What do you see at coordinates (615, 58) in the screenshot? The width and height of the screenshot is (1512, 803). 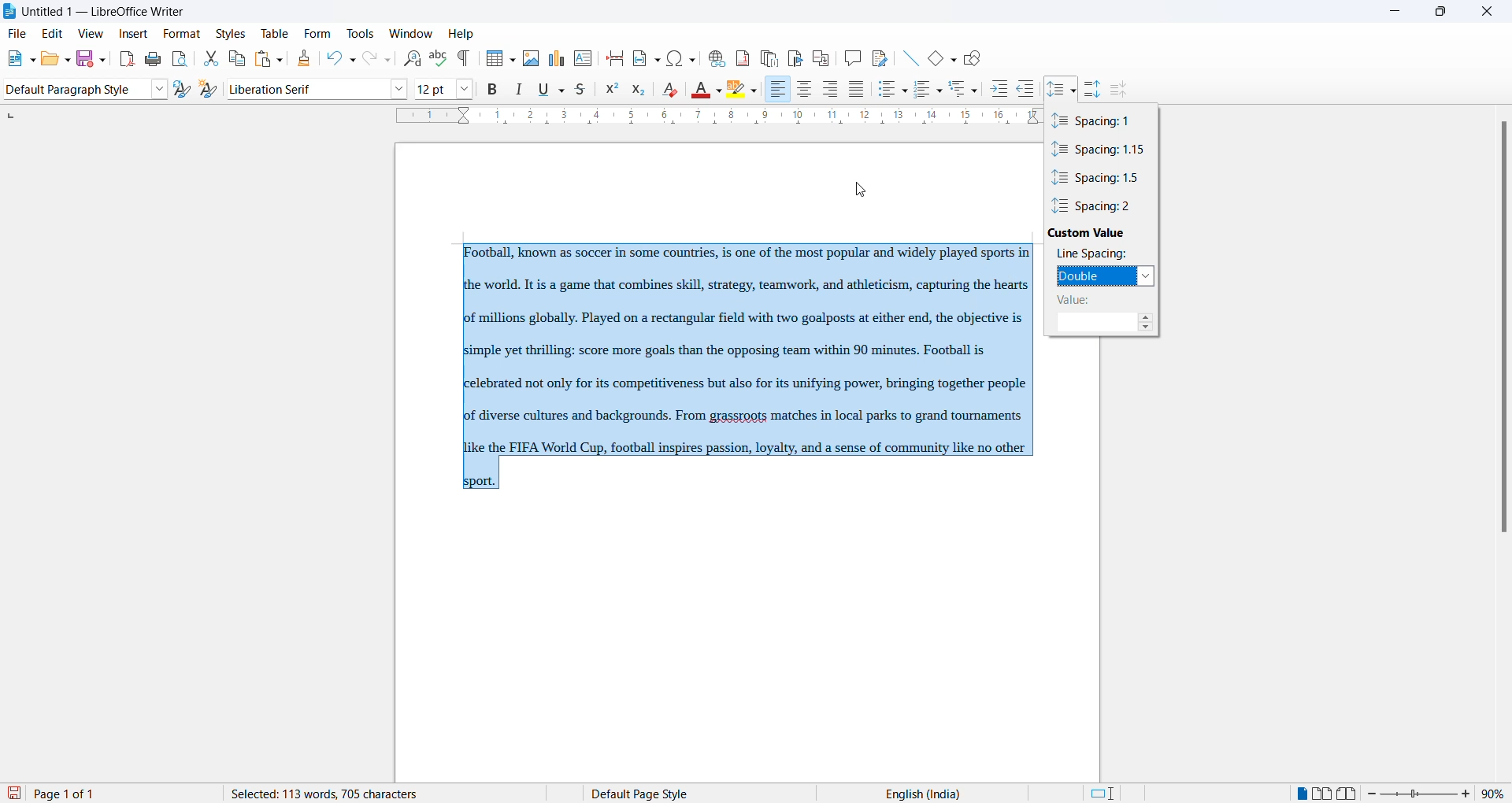 I see `page break` at bounding box center [615, 58].